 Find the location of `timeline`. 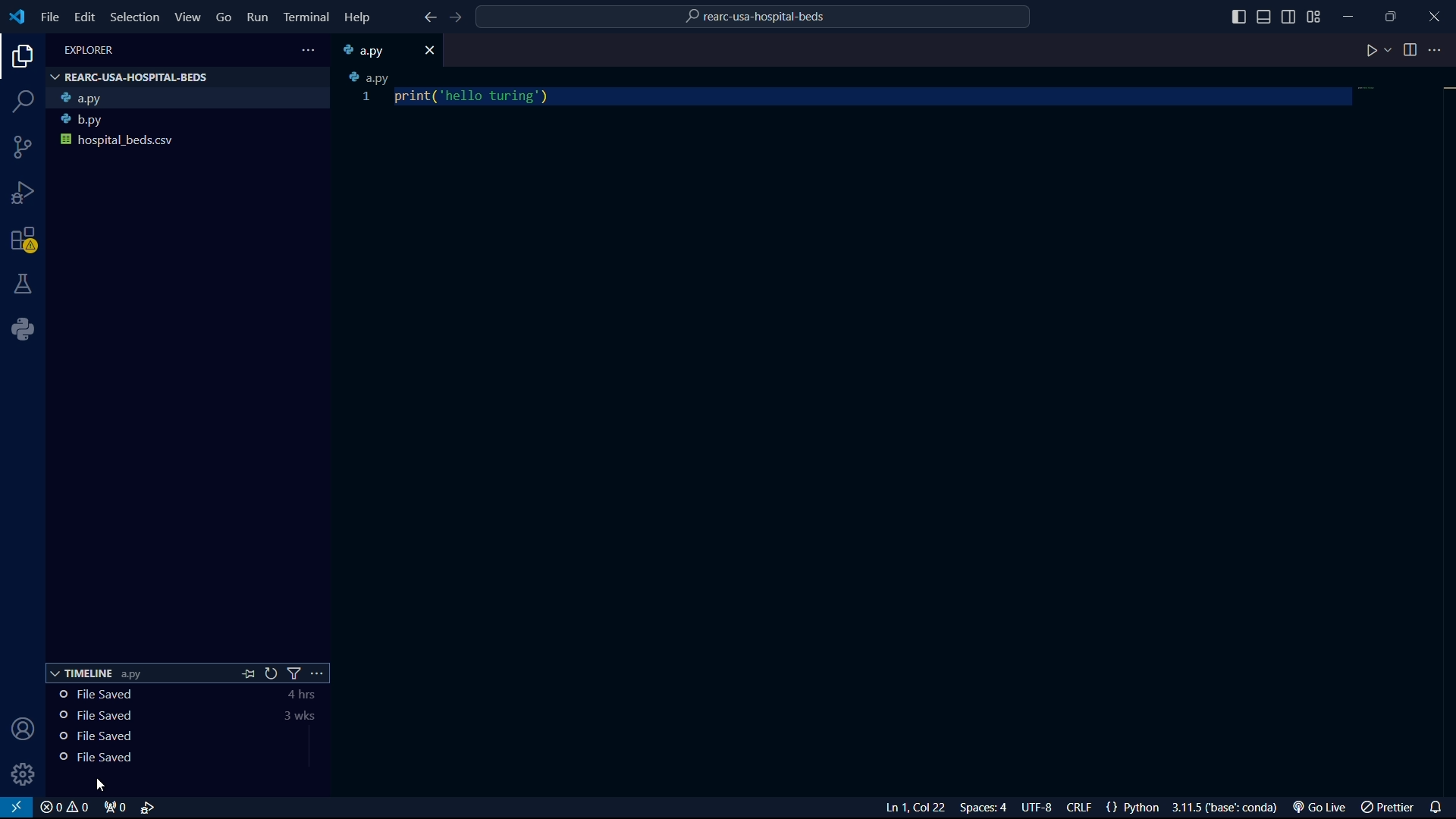

timeline is located at coordinates (152, 758).